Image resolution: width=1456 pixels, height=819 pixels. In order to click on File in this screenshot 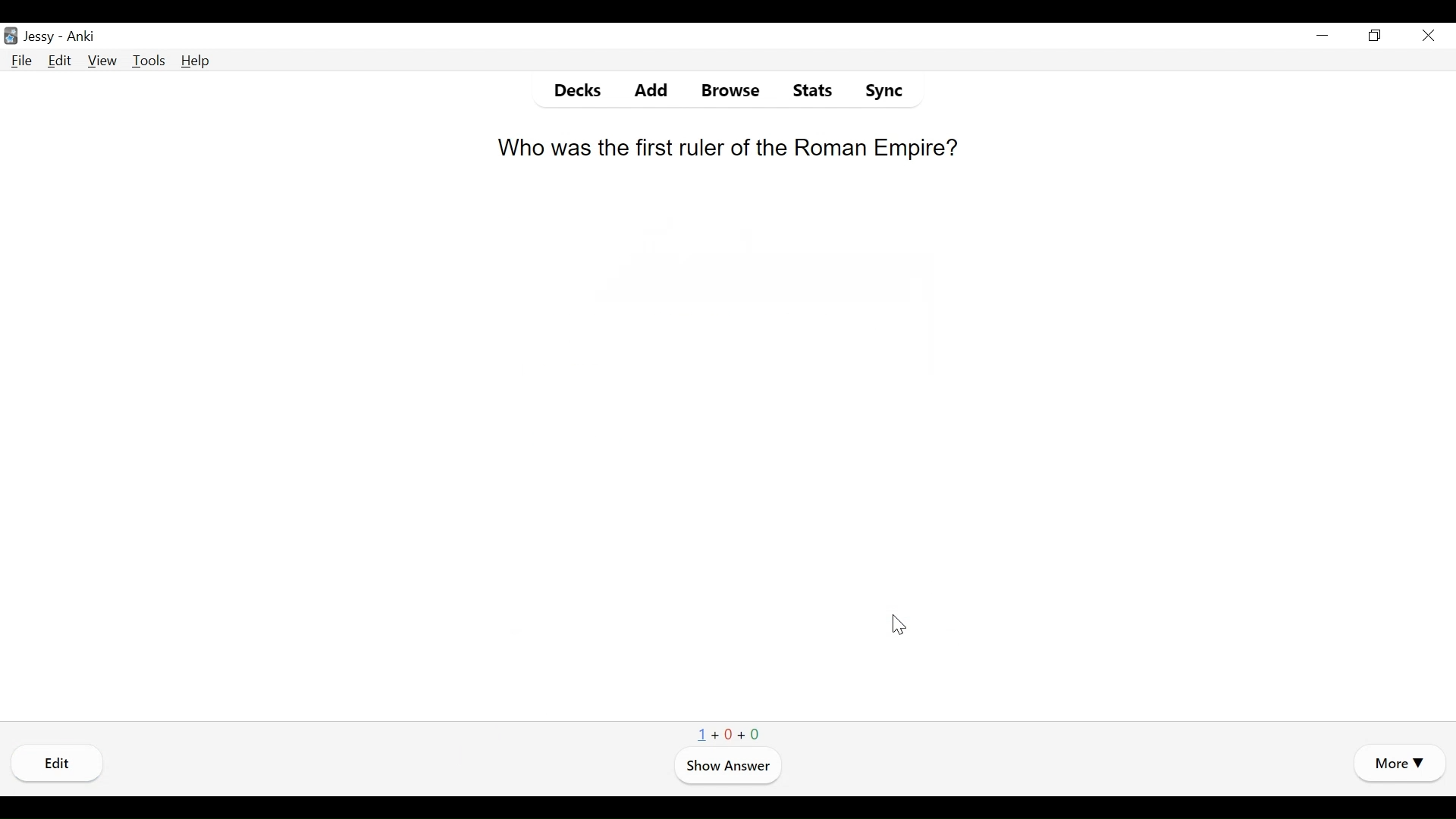, I will do `click(21, 61)`.